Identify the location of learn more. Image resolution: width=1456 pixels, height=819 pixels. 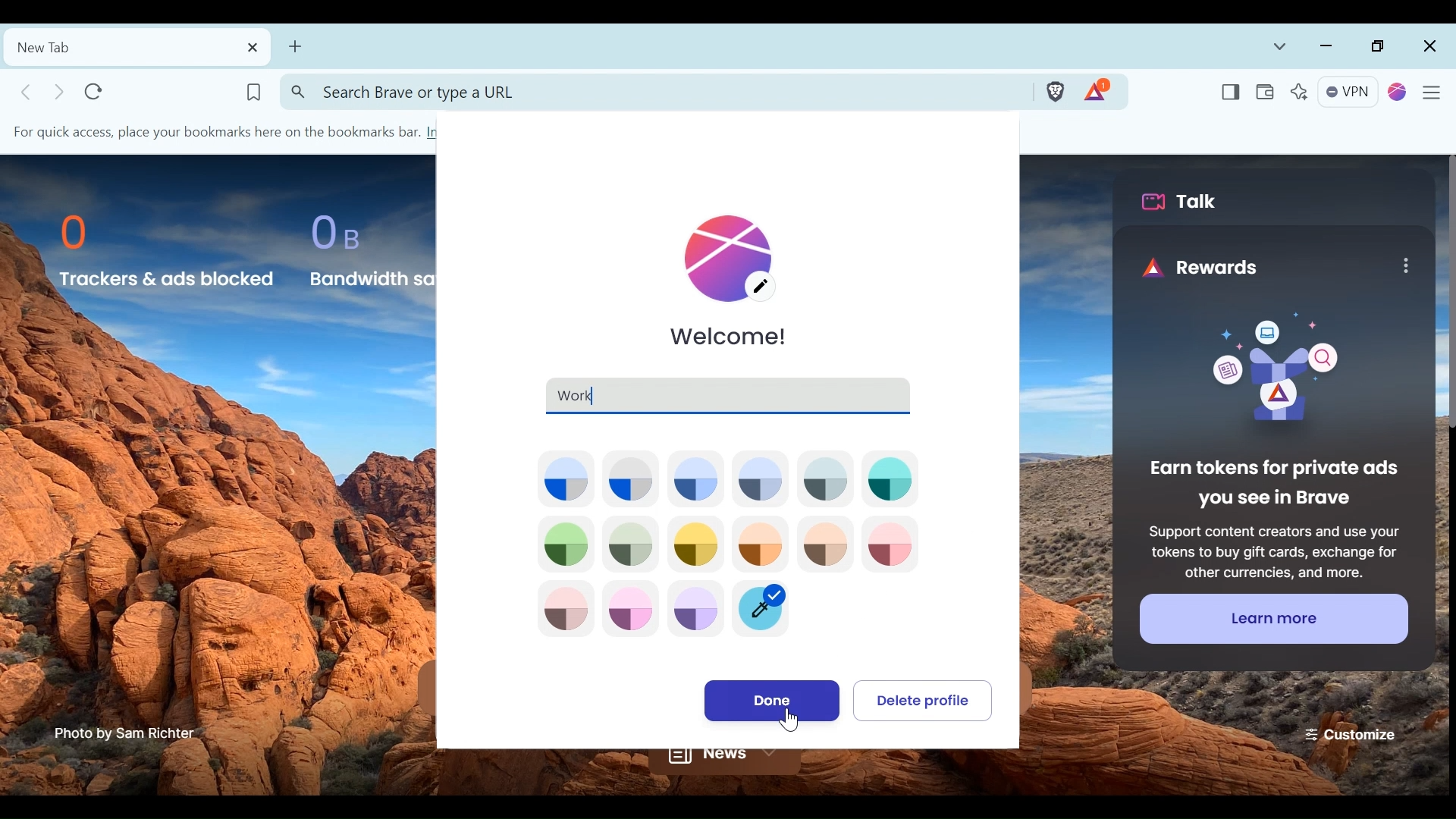
(1272, 618).